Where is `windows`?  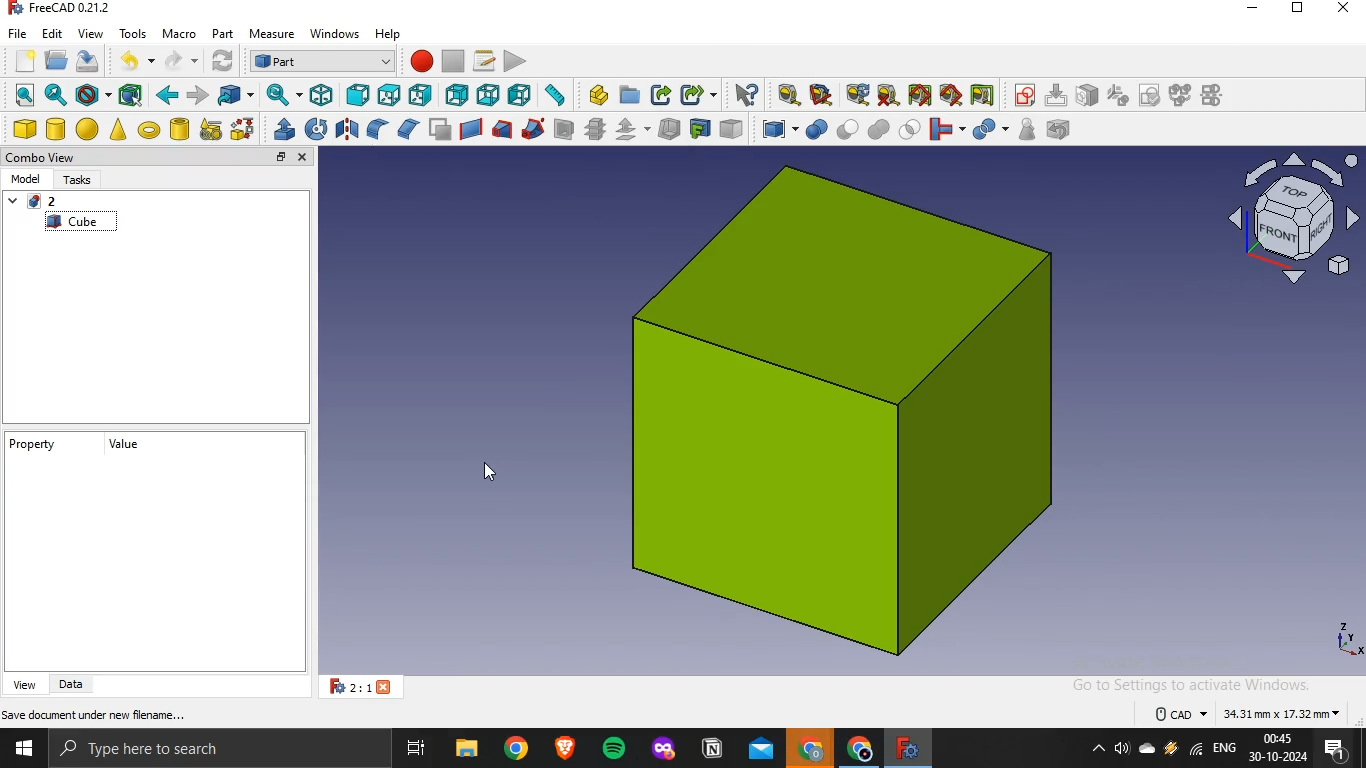 windows is located at coordinates (335, 33).